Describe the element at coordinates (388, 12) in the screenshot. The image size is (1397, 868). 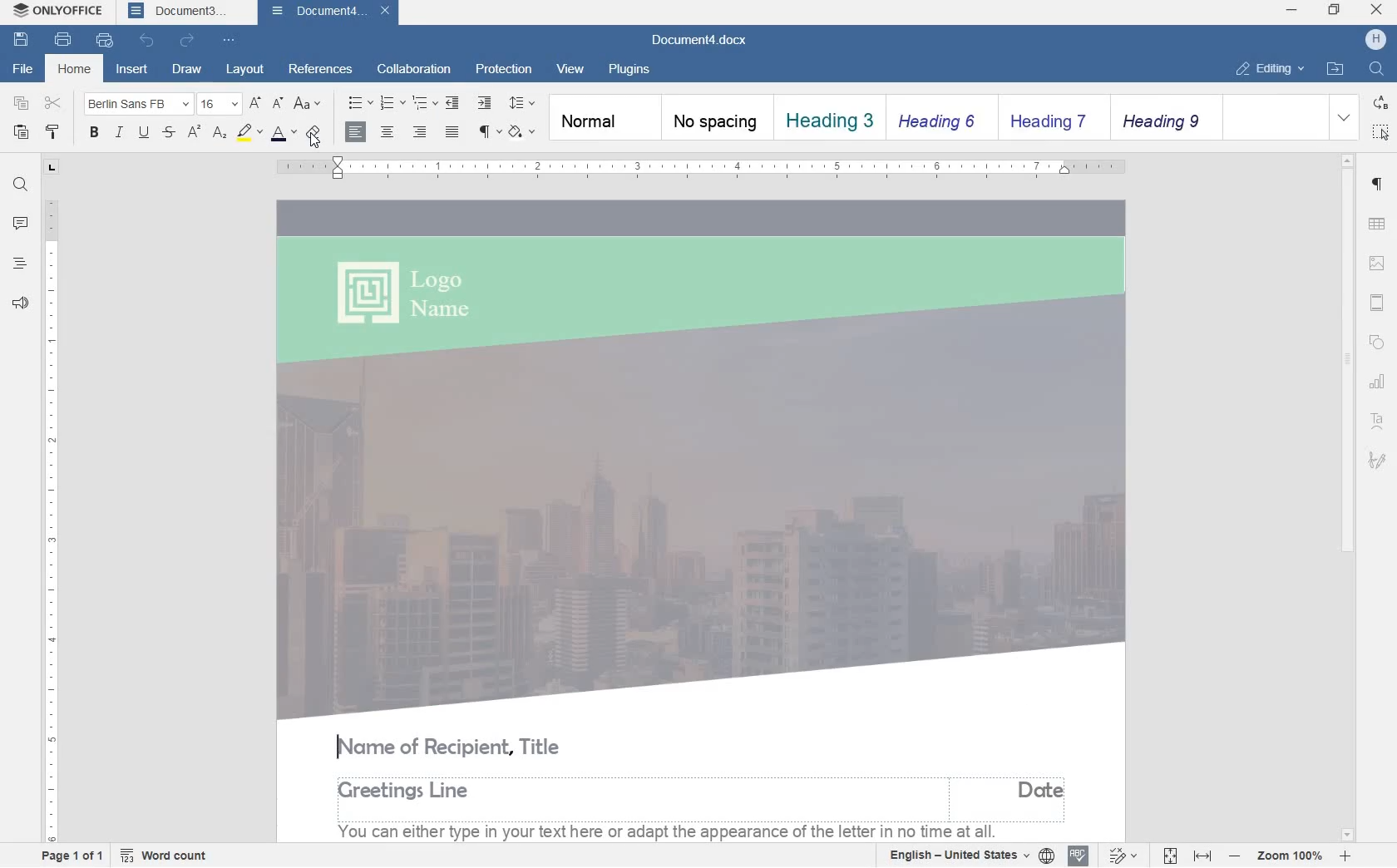
I see `close document4` at that location.